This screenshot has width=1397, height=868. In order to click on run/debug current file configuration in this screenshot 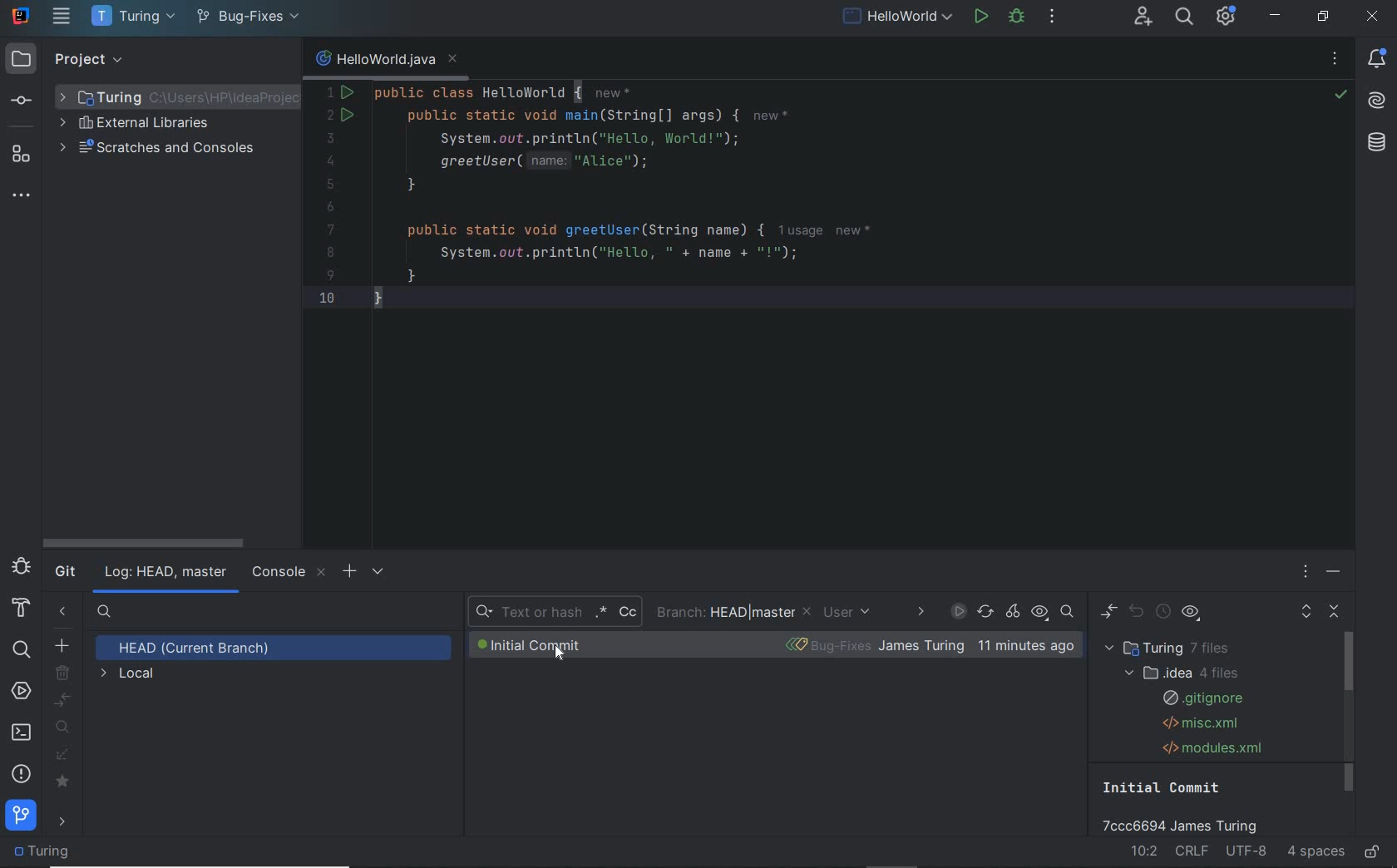, I will do `click(896, 14)`.